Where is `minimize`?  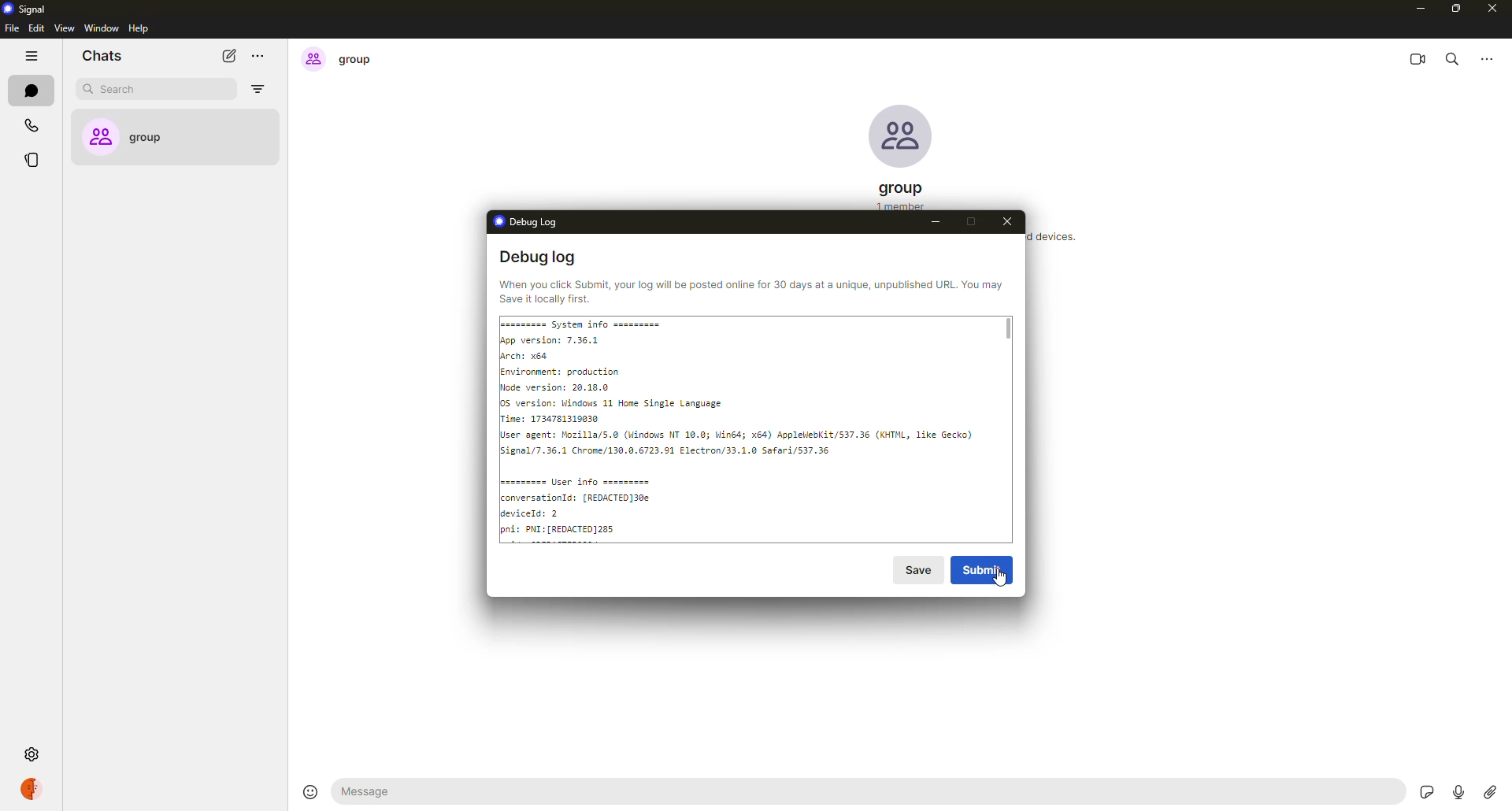 minimize is located at coordinates (1418, 9).